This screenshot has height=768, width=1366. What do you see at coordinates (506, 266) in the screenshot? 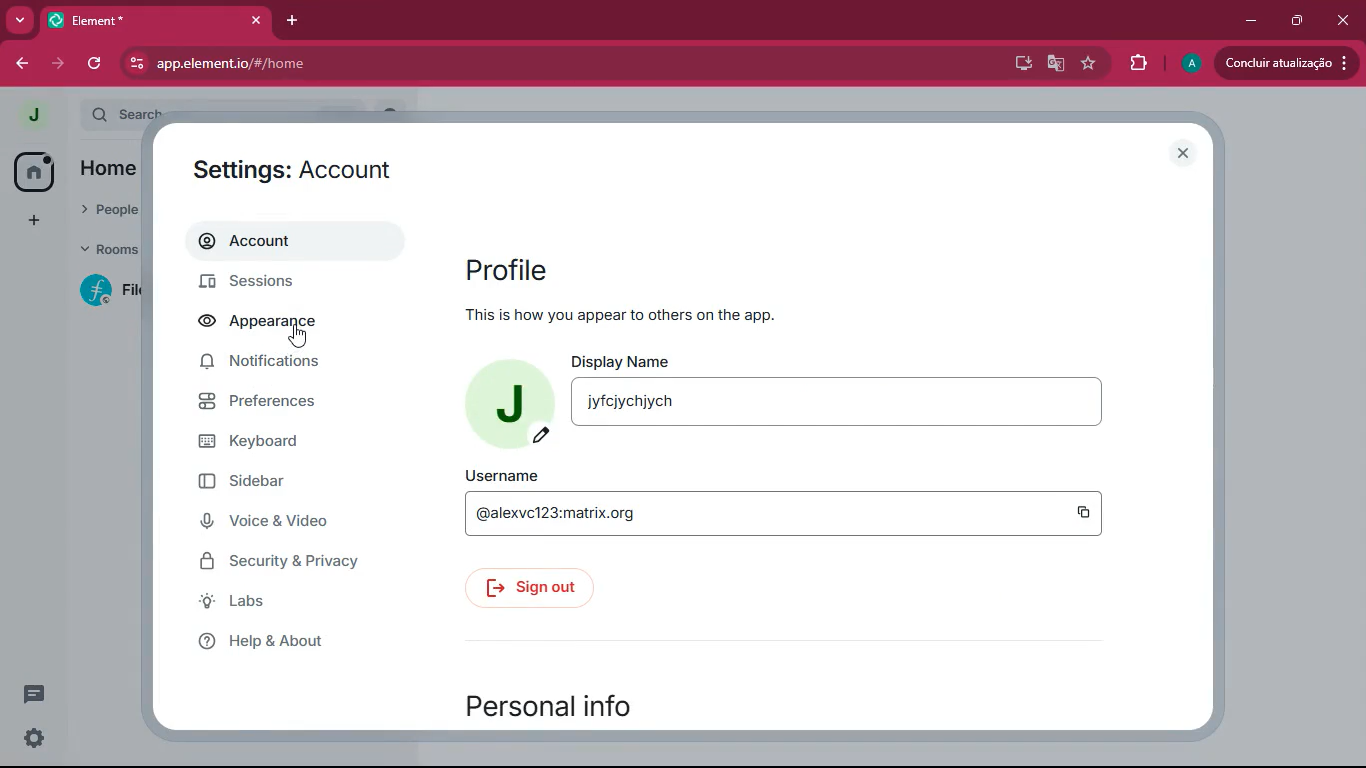
I see `Profile` at bounding box center [506, 266].